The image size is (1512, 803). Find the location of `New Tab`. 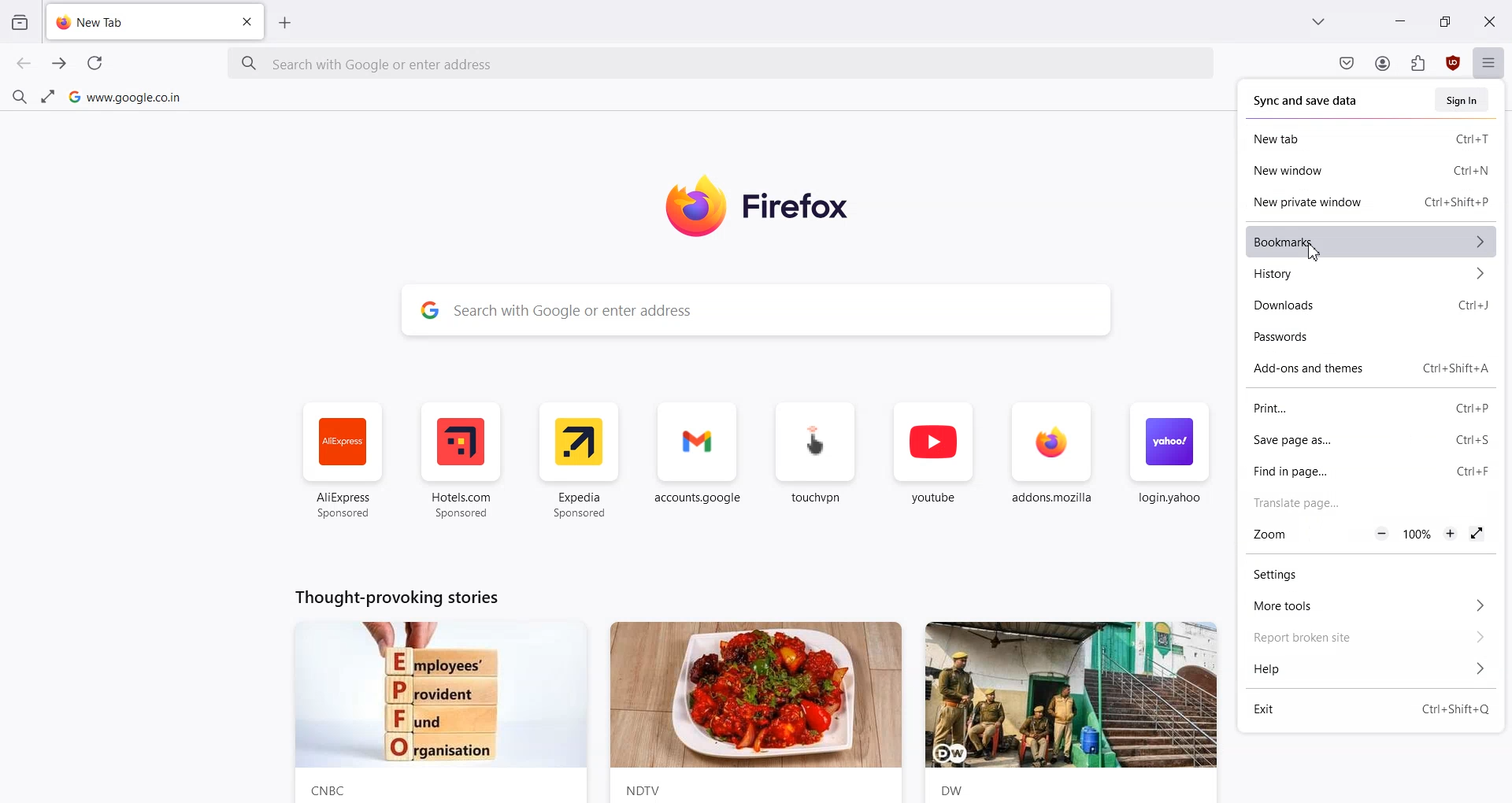

New Tab is located at coordinates (133, 22).